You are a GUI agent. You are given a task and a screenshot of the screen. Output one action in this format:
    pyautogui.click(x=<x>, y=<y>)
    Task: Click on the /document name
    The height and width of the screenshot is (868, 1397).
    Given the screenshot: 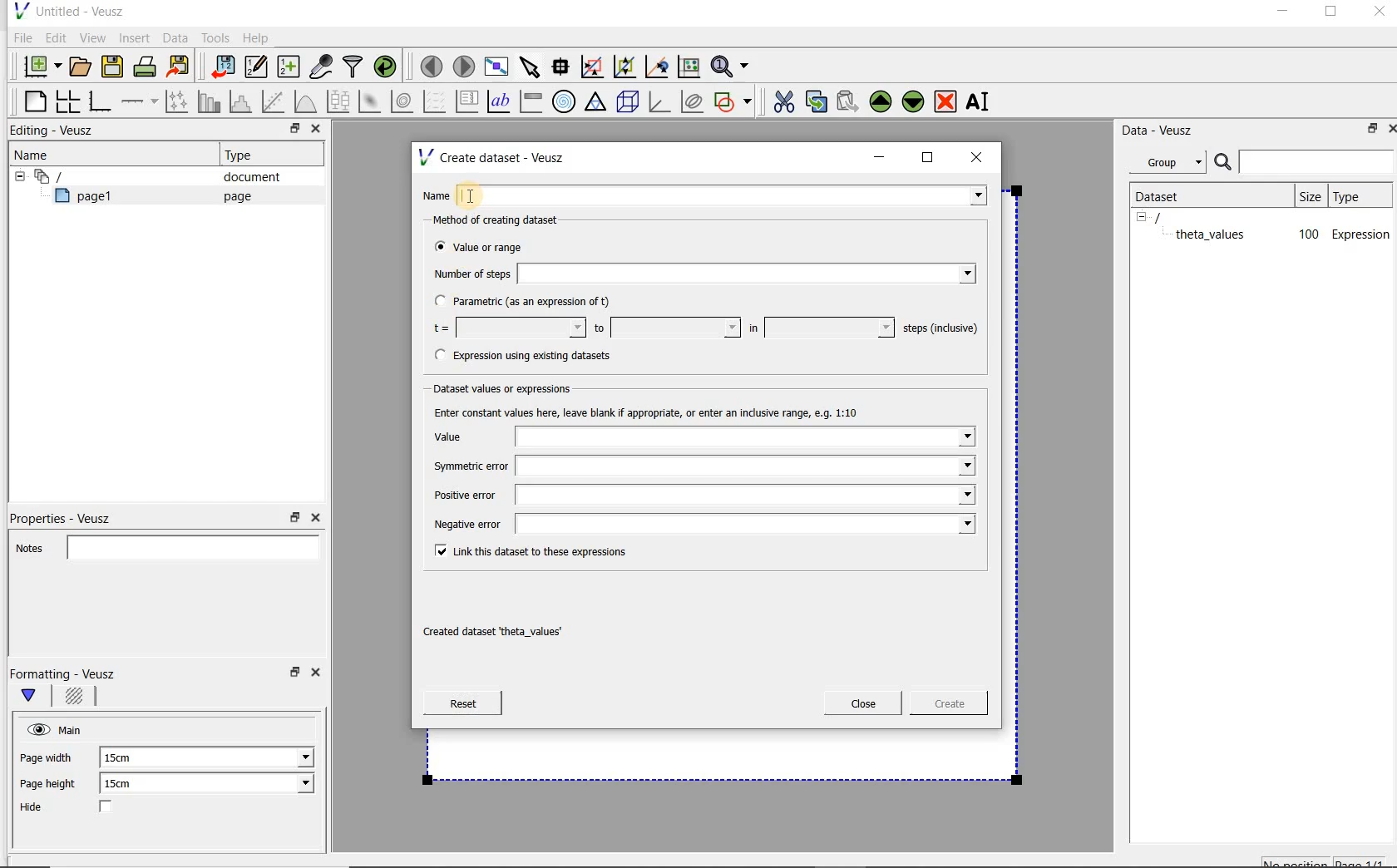 What is the action you would take?
    pyautogui.click(x=1172, y=216)
    